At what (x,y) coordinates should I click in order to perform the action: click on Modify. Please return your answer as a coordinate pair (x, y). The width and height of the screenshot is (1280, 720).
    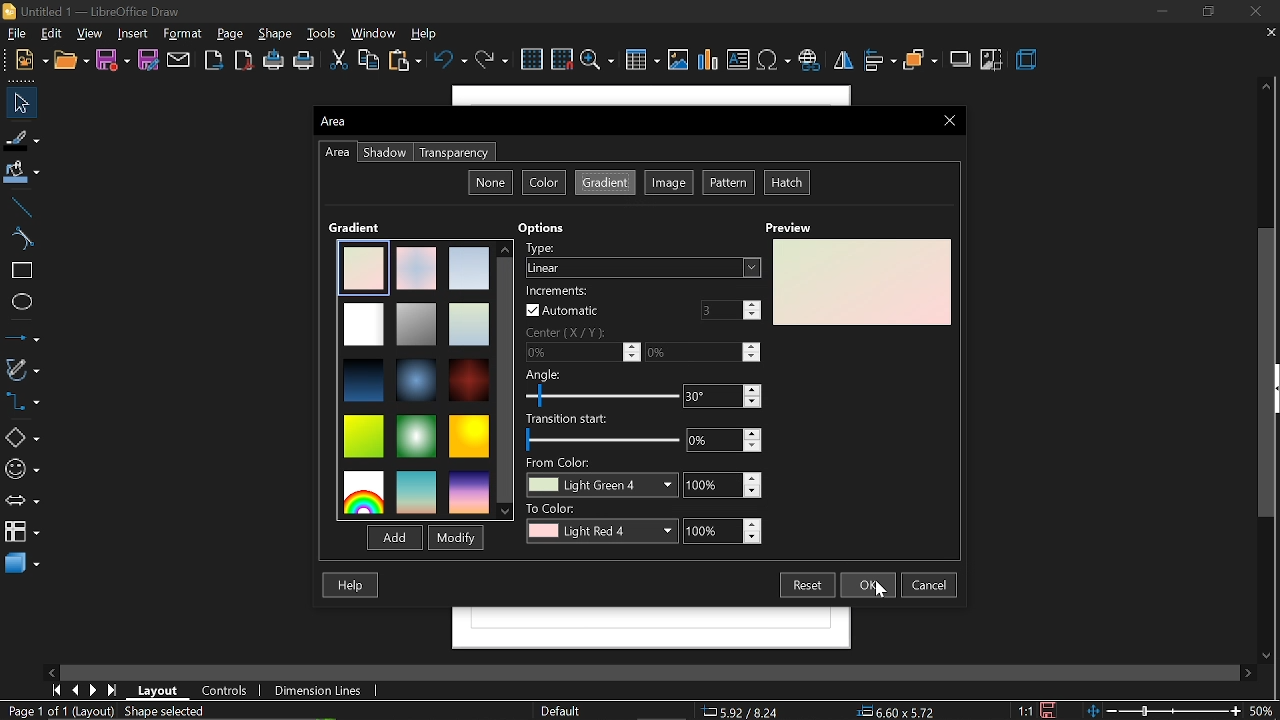
    Looking at the image, I should click on (454, 538).